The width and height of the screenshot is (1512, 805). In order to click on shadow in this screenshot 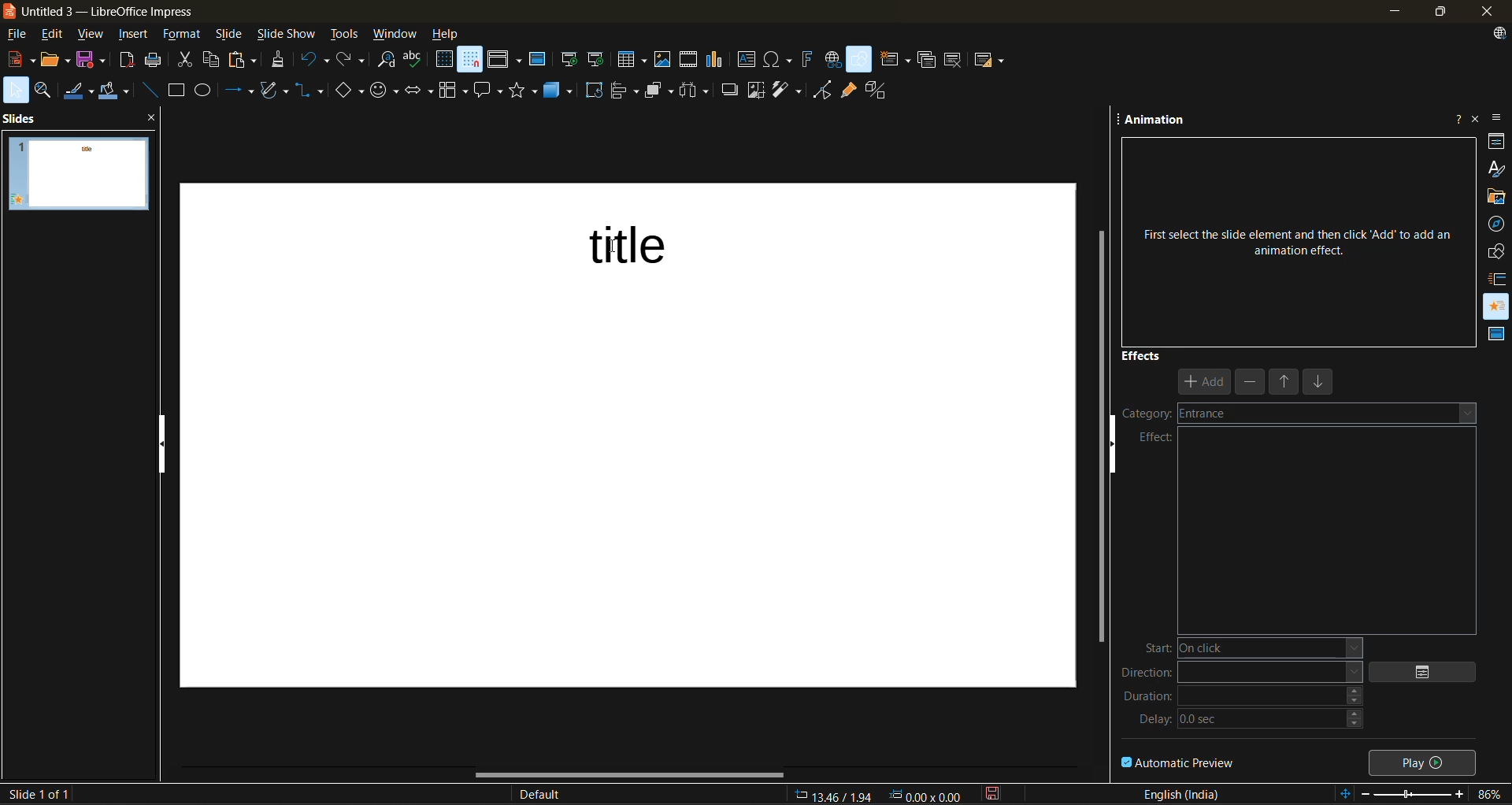, I will do `click(730, 89)`.